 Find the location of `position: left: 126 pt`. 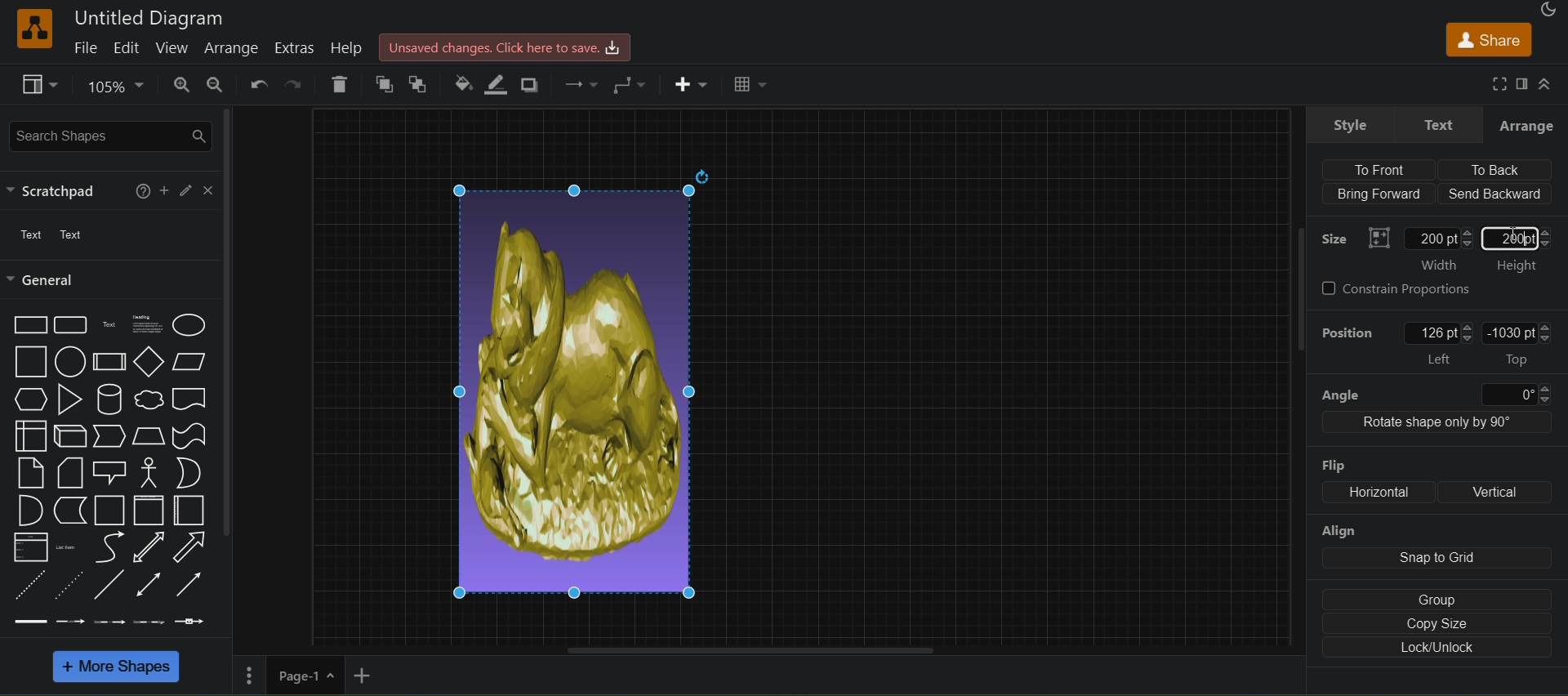

position: left: 126 pt is located at coordinates (1395, 344).